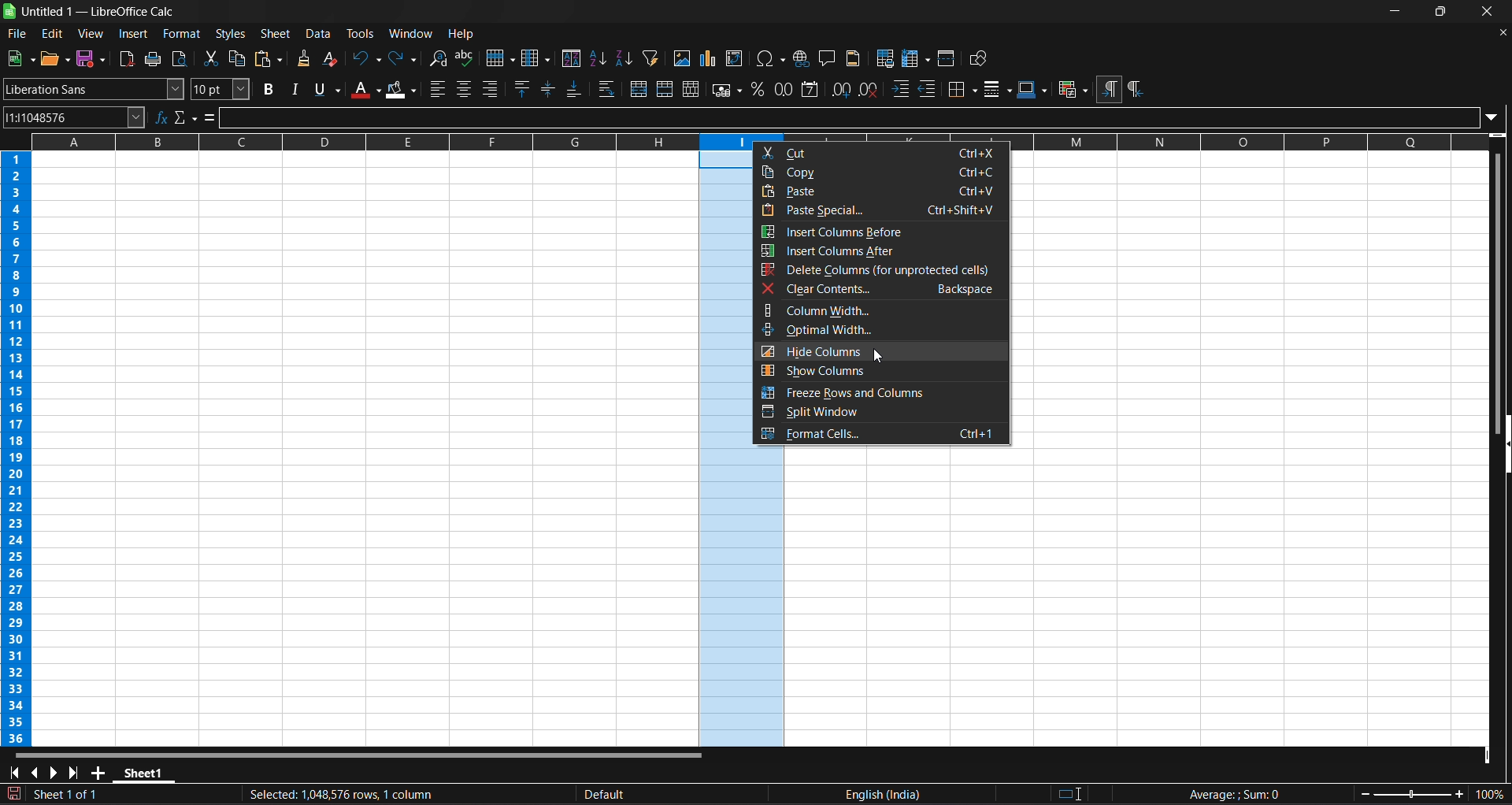  I want to click on function wizard, so click(160, 116).